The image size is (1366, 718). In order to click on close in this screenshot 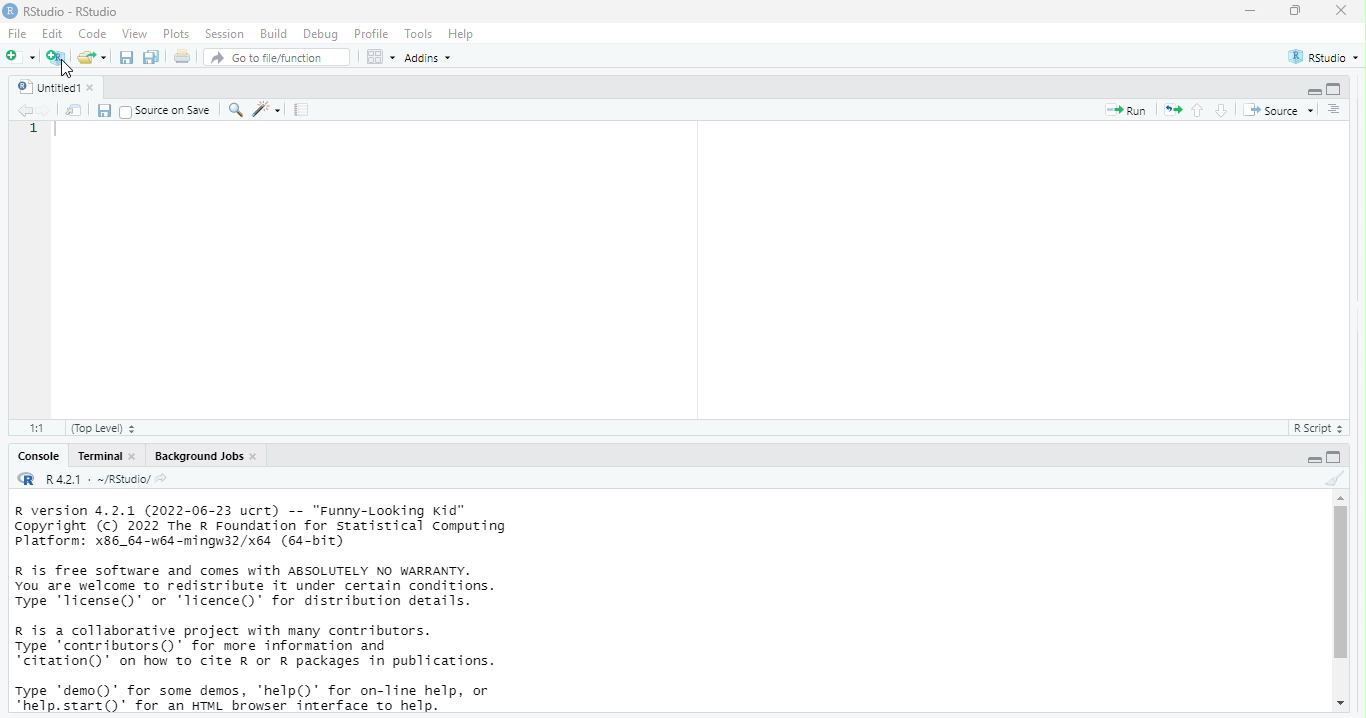, I will do `click(257, 457)`.